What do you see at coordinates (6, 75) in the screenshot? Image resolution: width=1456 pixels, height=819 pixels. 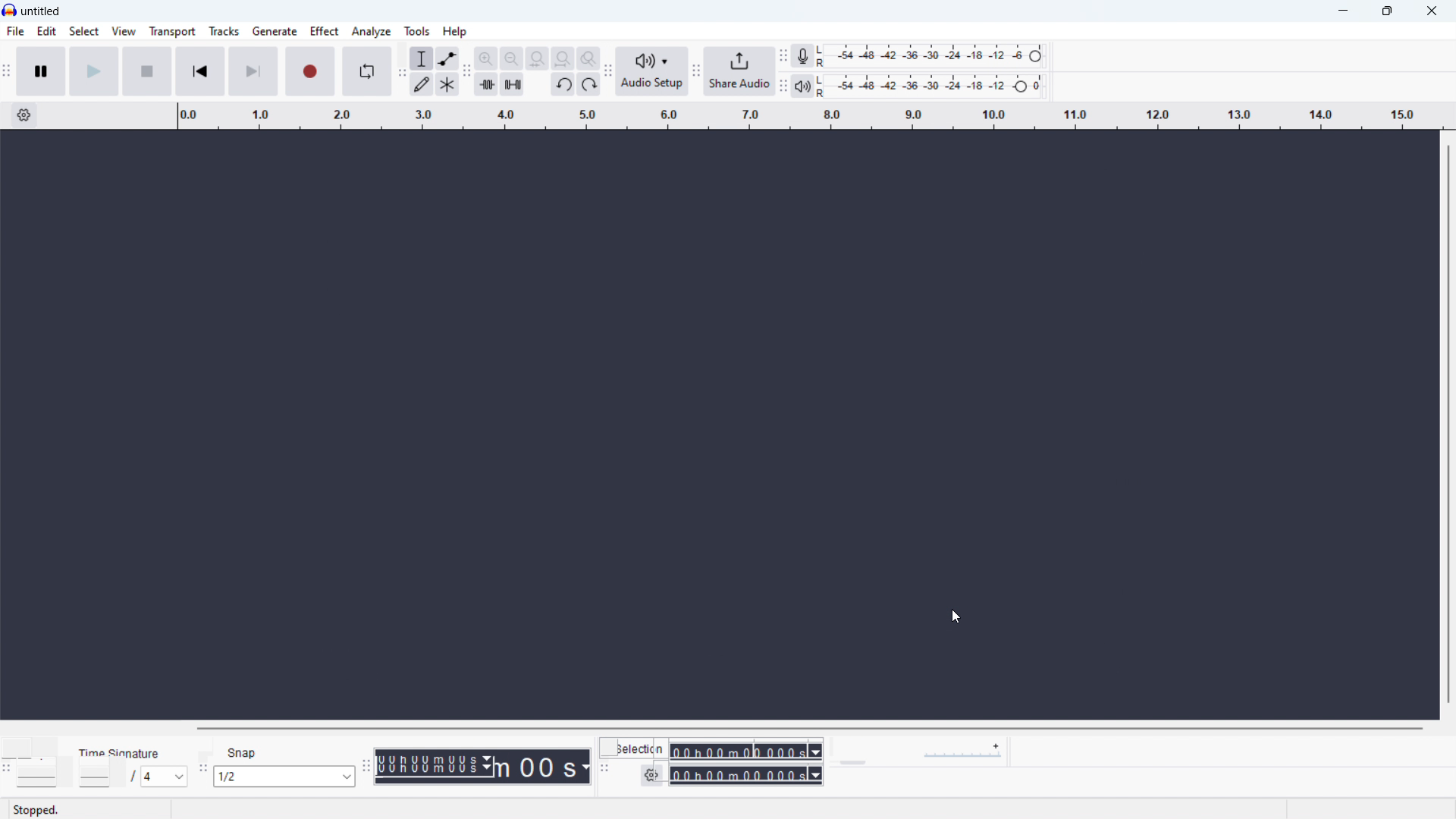 I see `transport toolbar` at bounding box center [6, 75].